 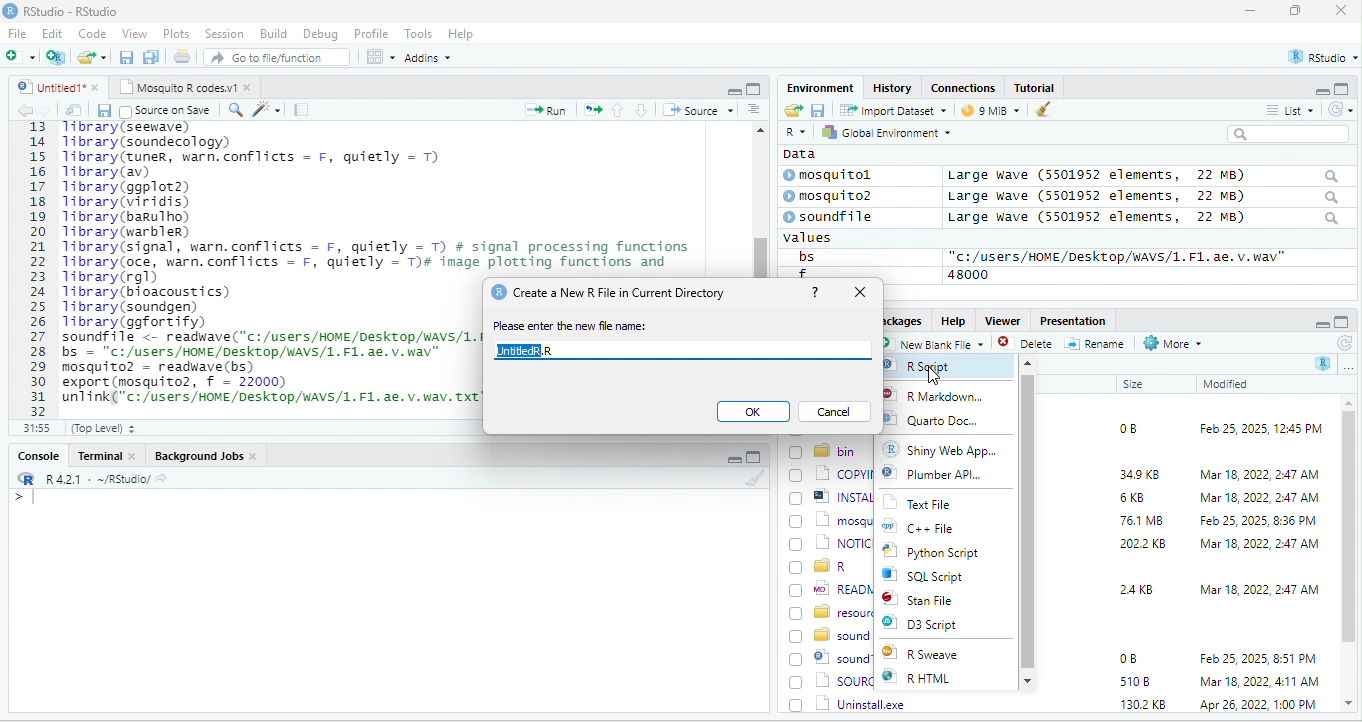 I want to click on Tools, so click(x=419, y=33).